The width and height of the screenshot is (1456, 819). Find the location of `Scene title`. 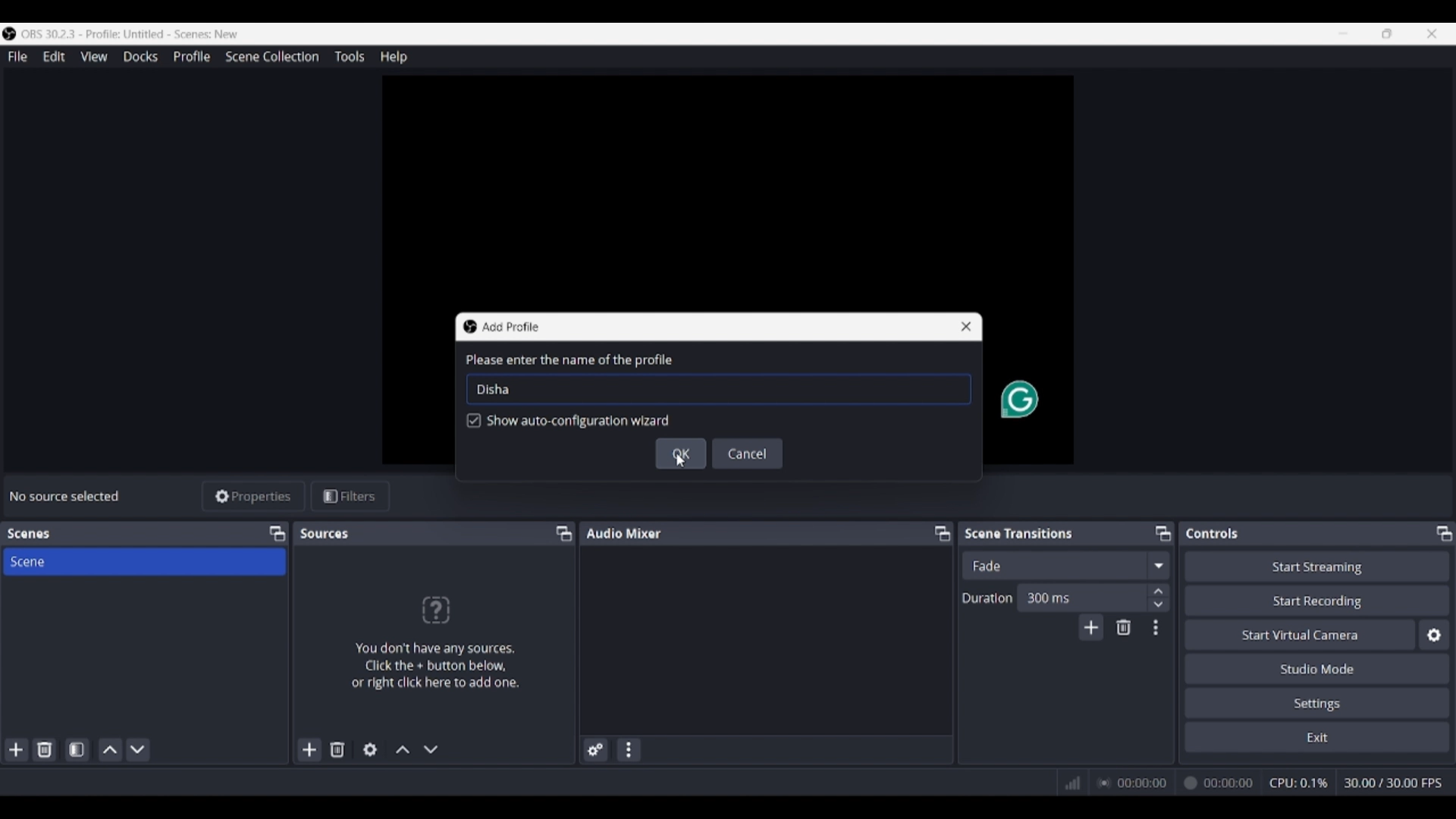

Scene title is located at coordinates (144, 561).